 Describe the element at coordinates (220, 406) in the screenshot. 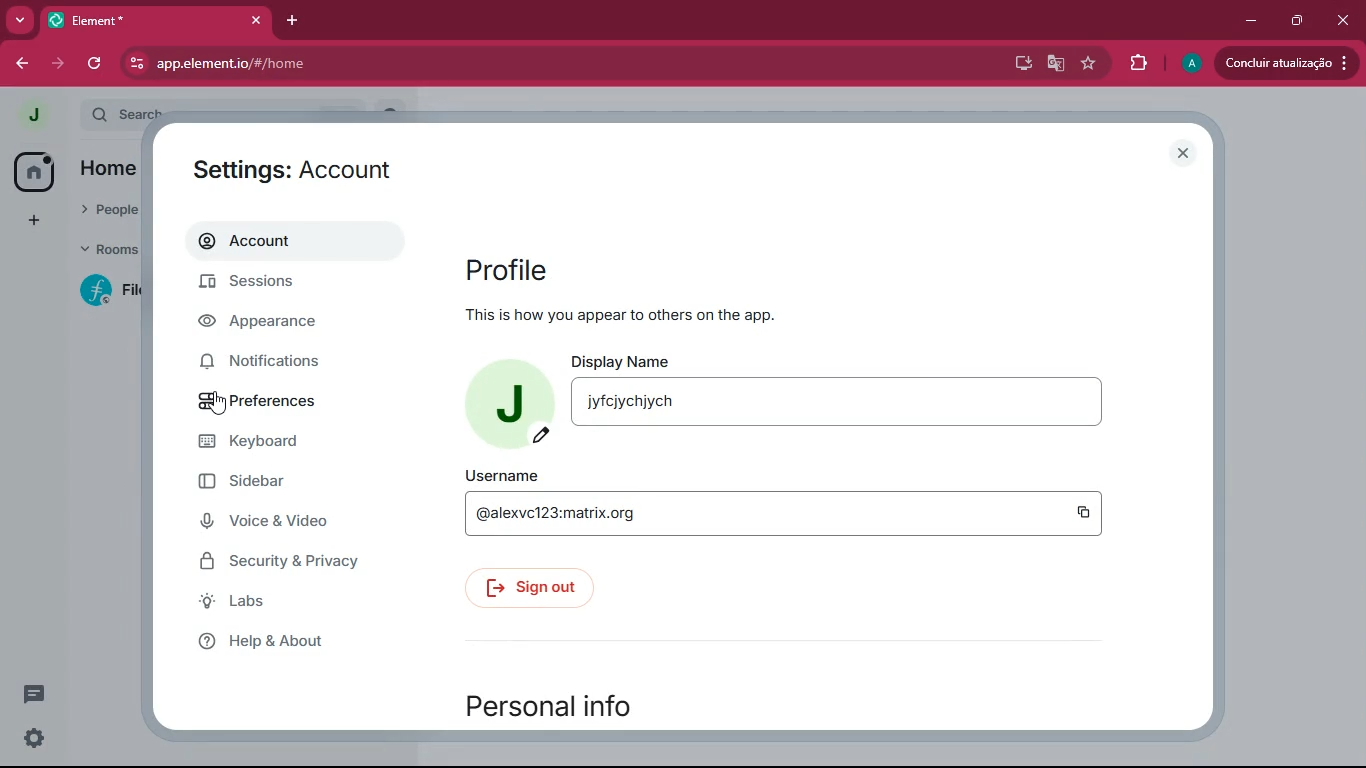

I see `cursor` at that location.